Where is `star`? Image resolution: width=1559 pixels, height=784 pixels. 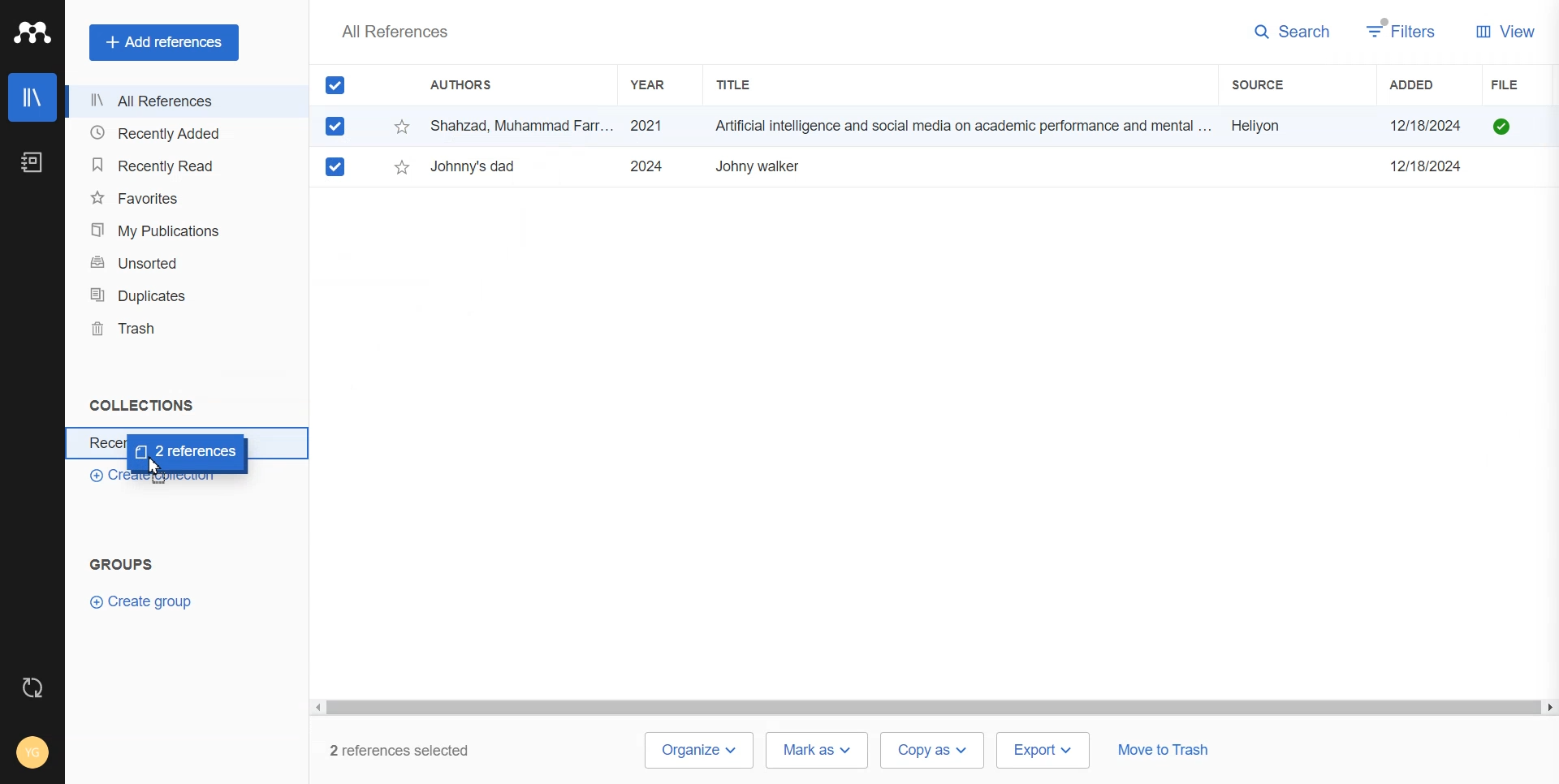
star is located at coordinates (403, 127).